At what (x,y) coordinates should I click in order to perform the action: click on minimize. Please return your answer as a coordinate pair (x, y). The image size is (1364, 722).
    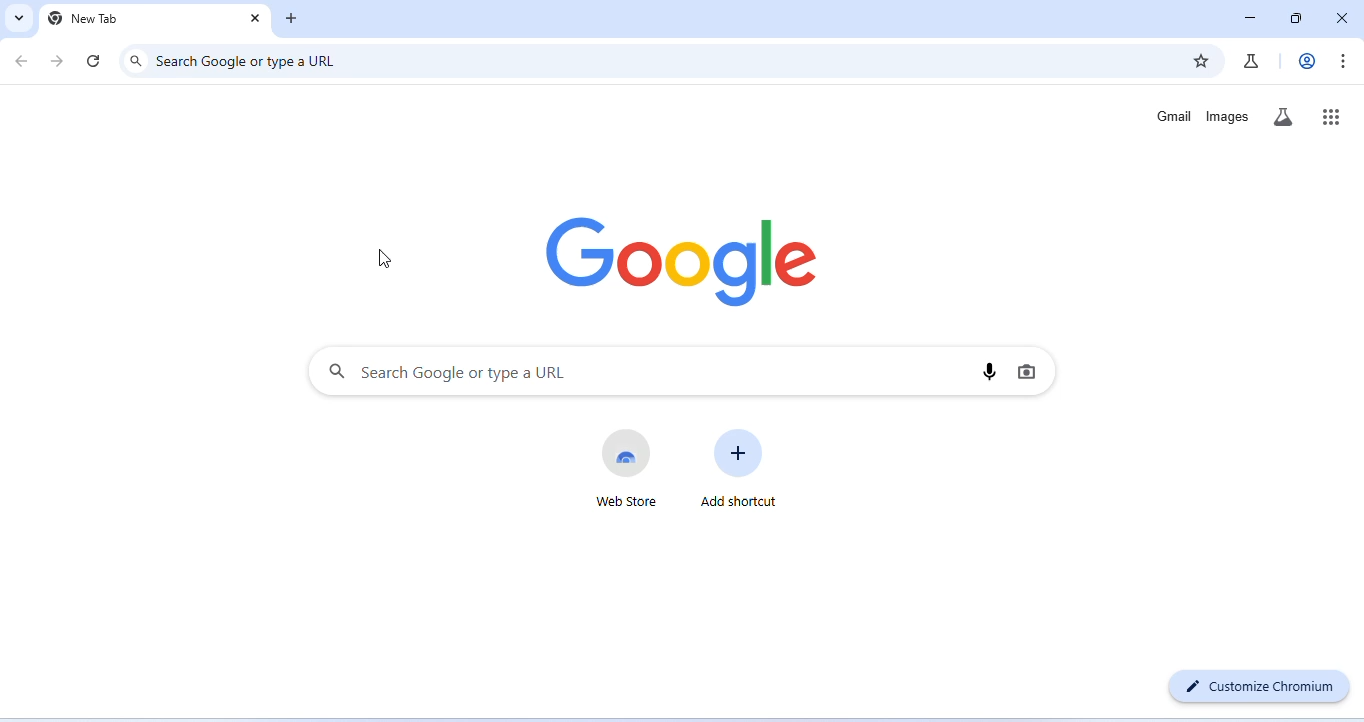
    Looking at the image, I should click on (1250, 19).